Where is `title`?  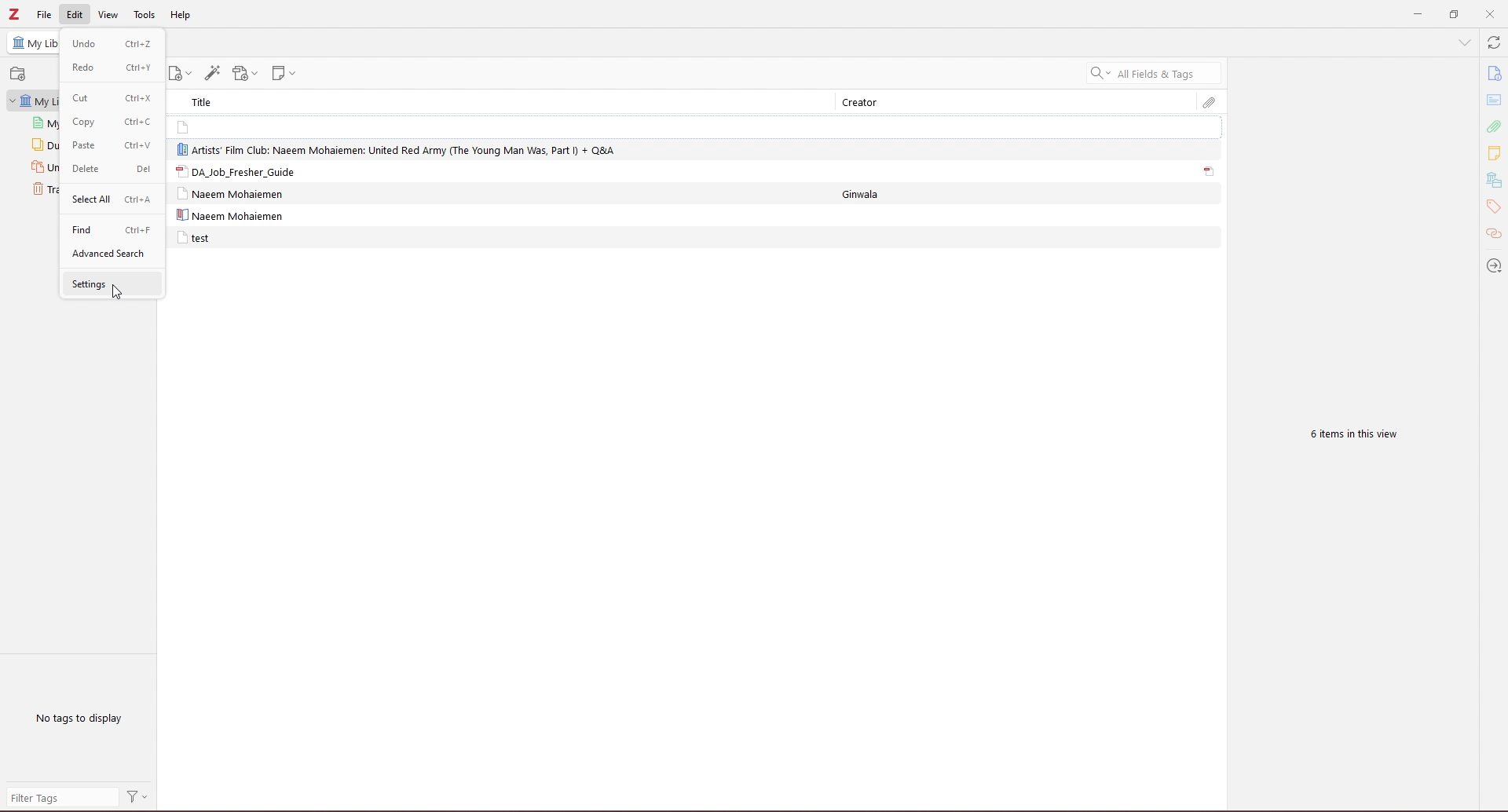 title is located at coordinates (207, 101).